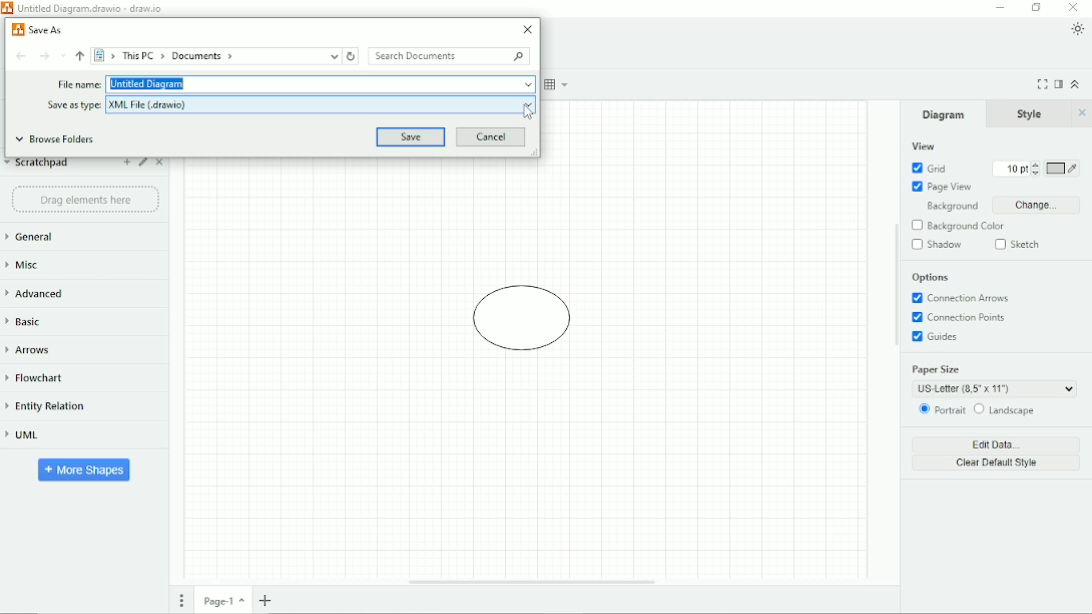 The image size is (1092, 614). I want to click on View, so click(922, 146).